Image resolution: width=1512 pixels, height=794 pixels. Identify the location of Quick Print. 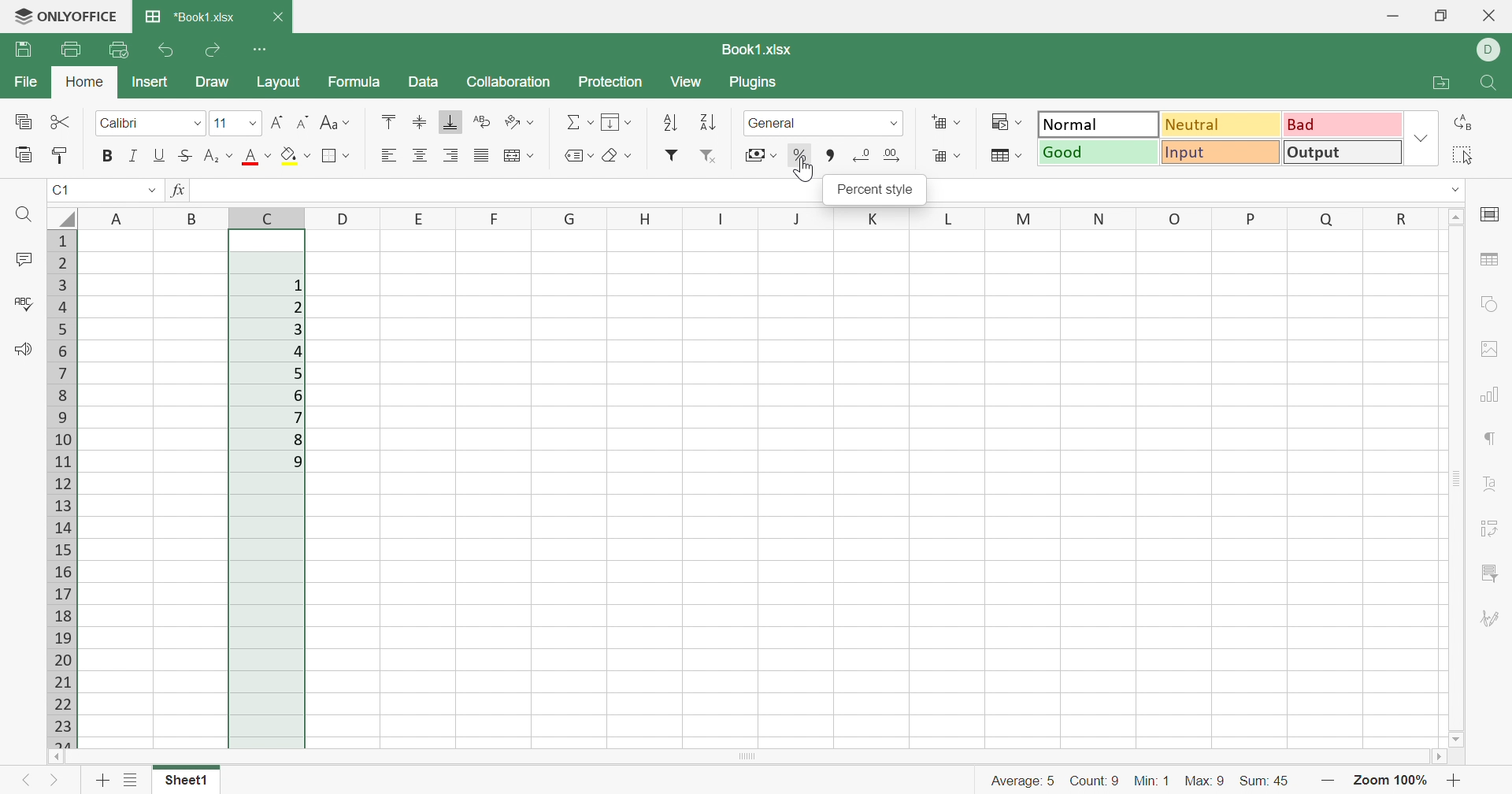
(117, 52).